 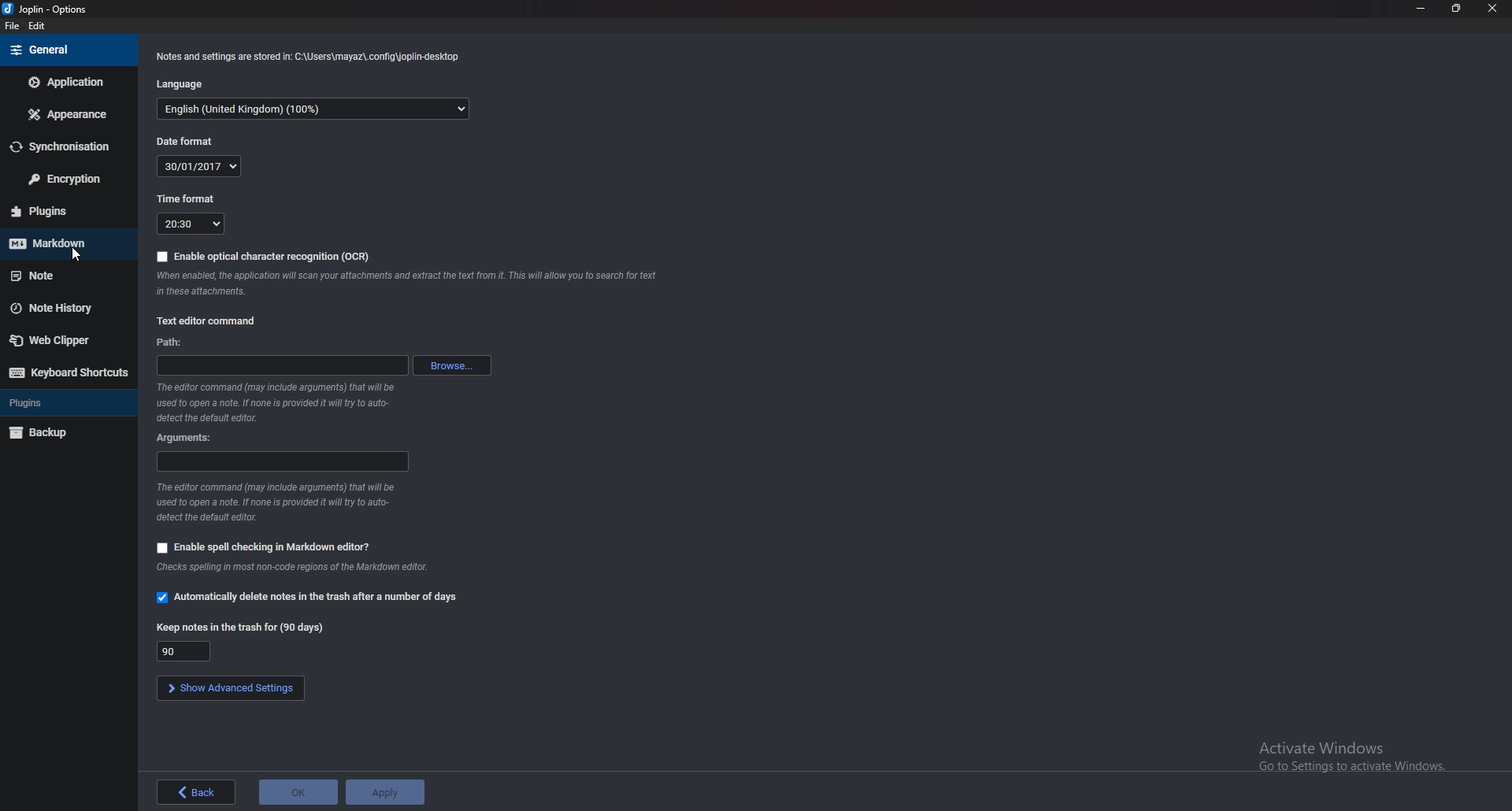 What do you see at coordinates (1493, 8) in the screenshot?
I see `close` at bounding box center [1493, 8].